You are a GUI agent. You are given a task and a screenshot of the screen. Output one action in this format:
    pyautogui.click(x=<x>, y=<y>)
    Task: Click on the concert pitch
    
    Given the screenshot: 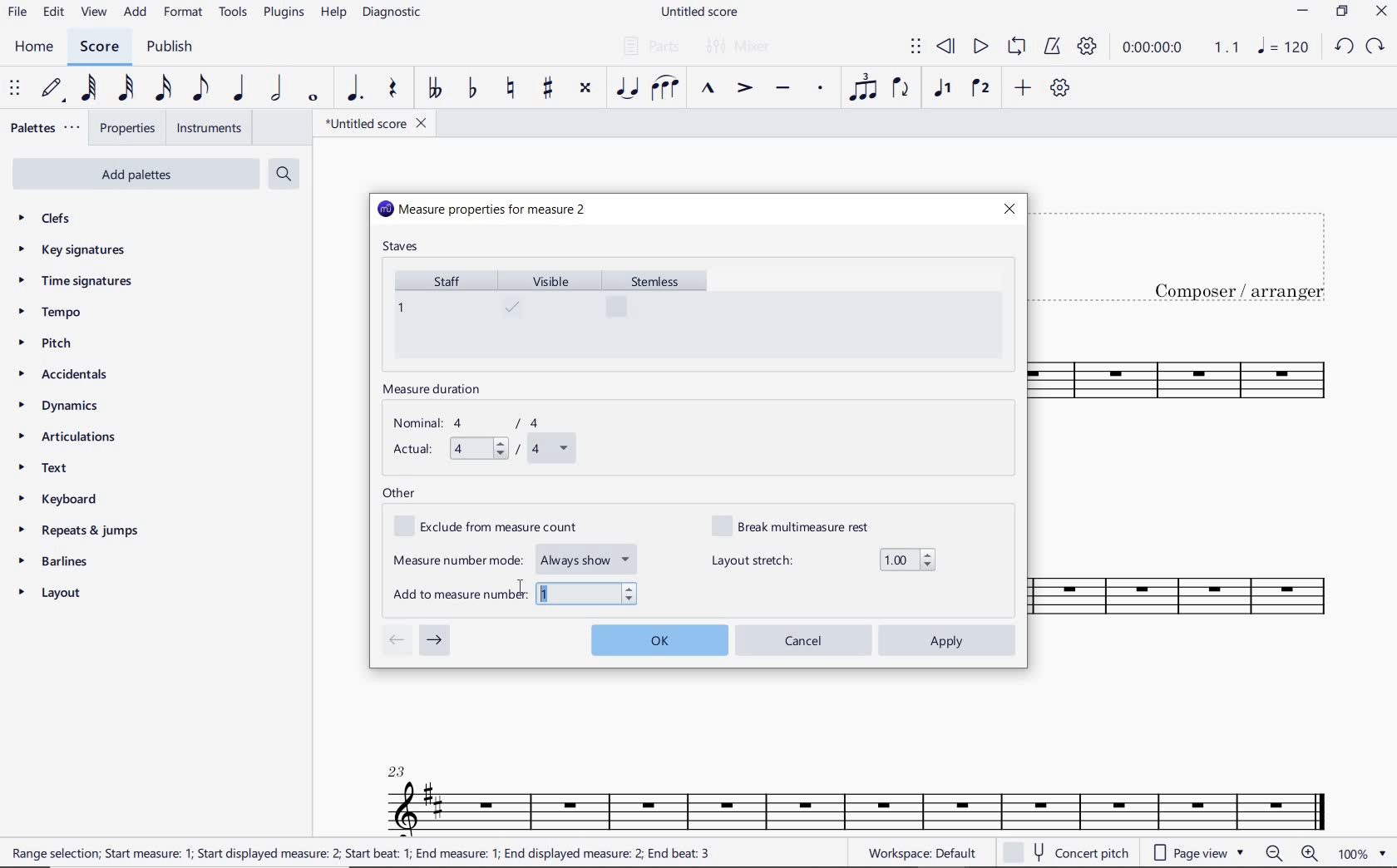 What is the action you would take?
    pyautogui.click(x=1069, y=853)
    